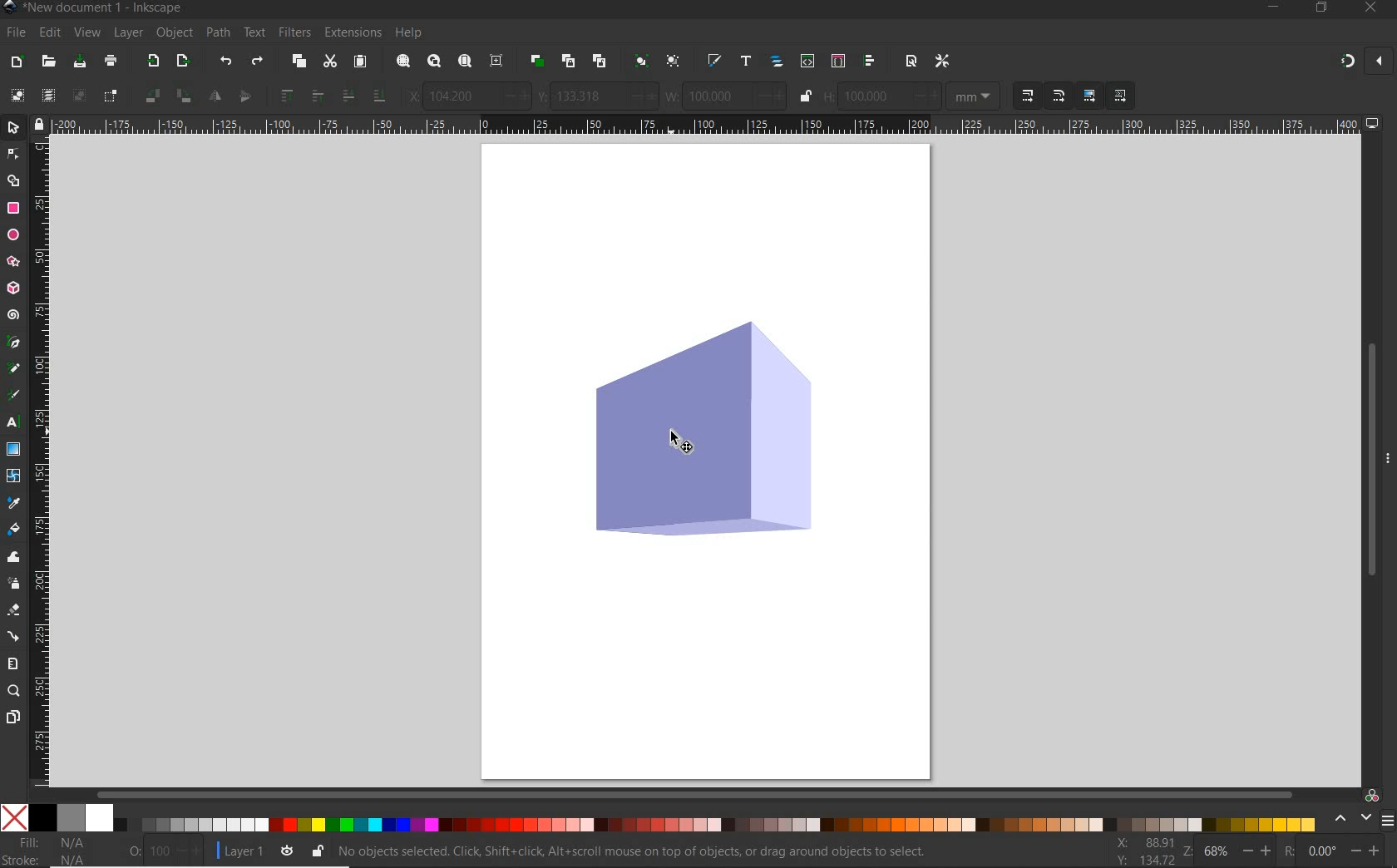 The width and height of the screenshot is (1397, 868). I want to click on SCROLLBAR, so click(1371, 461).